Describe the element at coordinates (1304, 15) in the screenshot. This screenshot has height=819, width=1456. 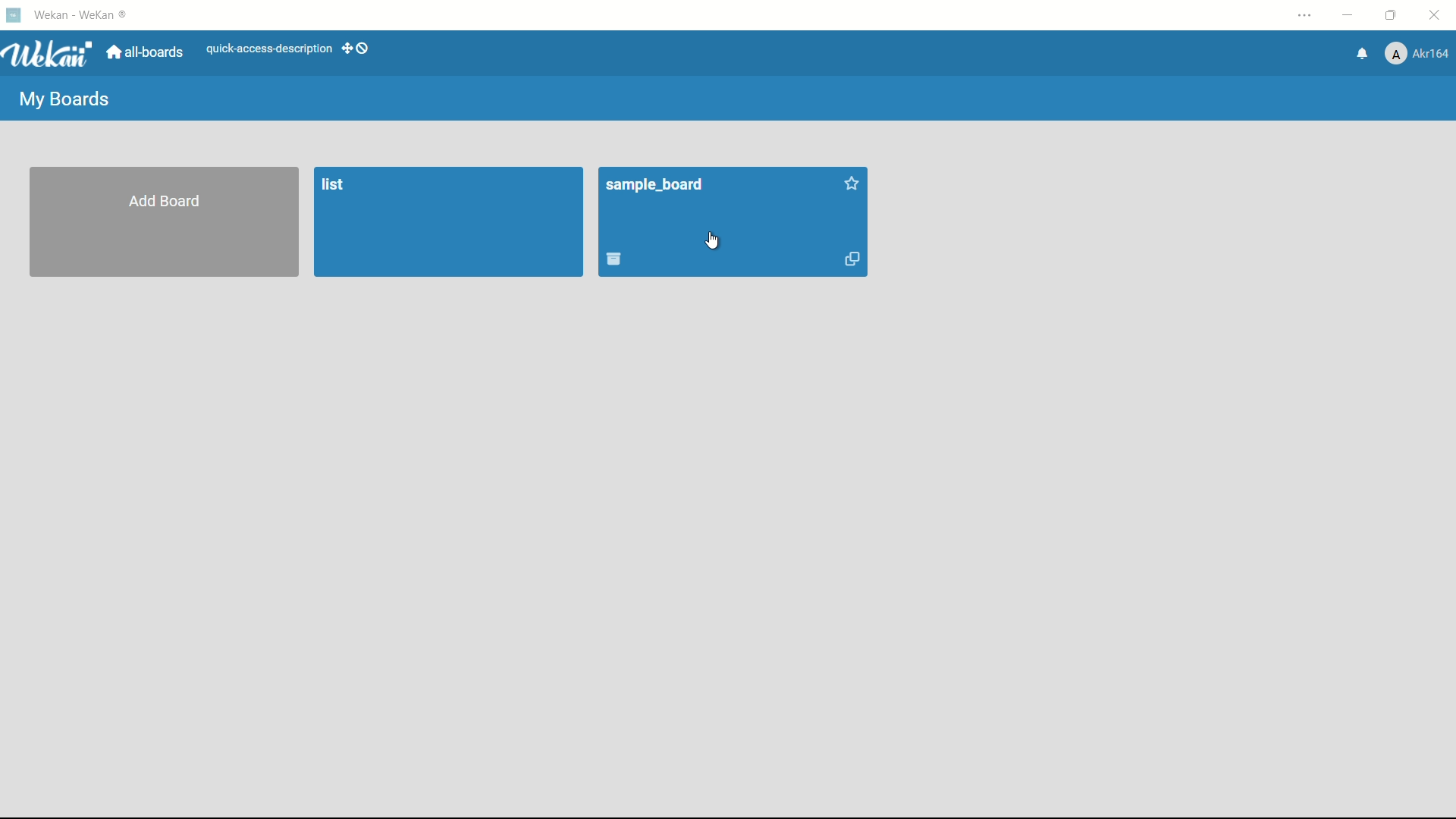
I see `settings and more` at that location.